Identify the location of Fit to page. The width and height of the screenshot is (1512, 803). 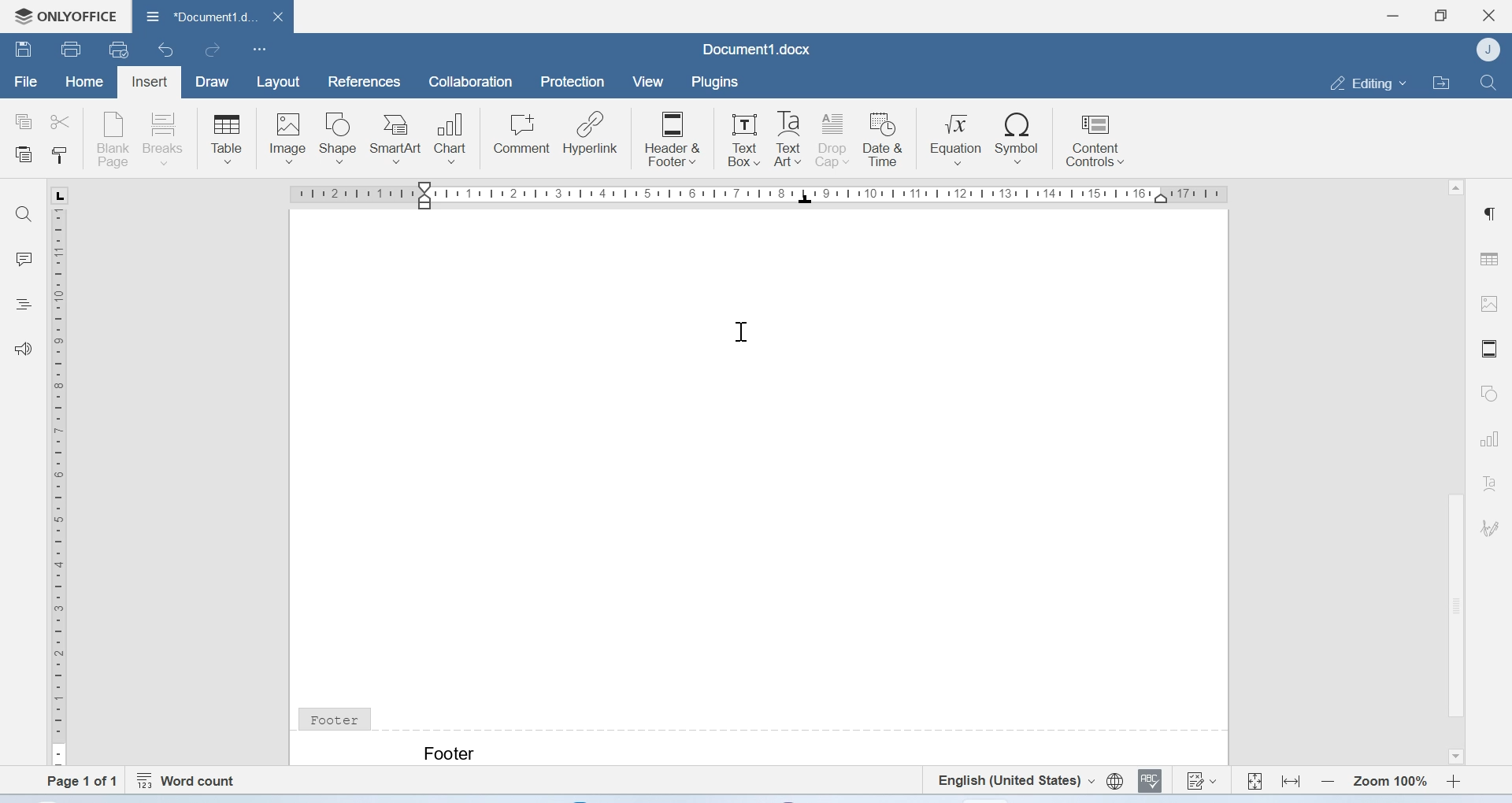
(1254, 779).